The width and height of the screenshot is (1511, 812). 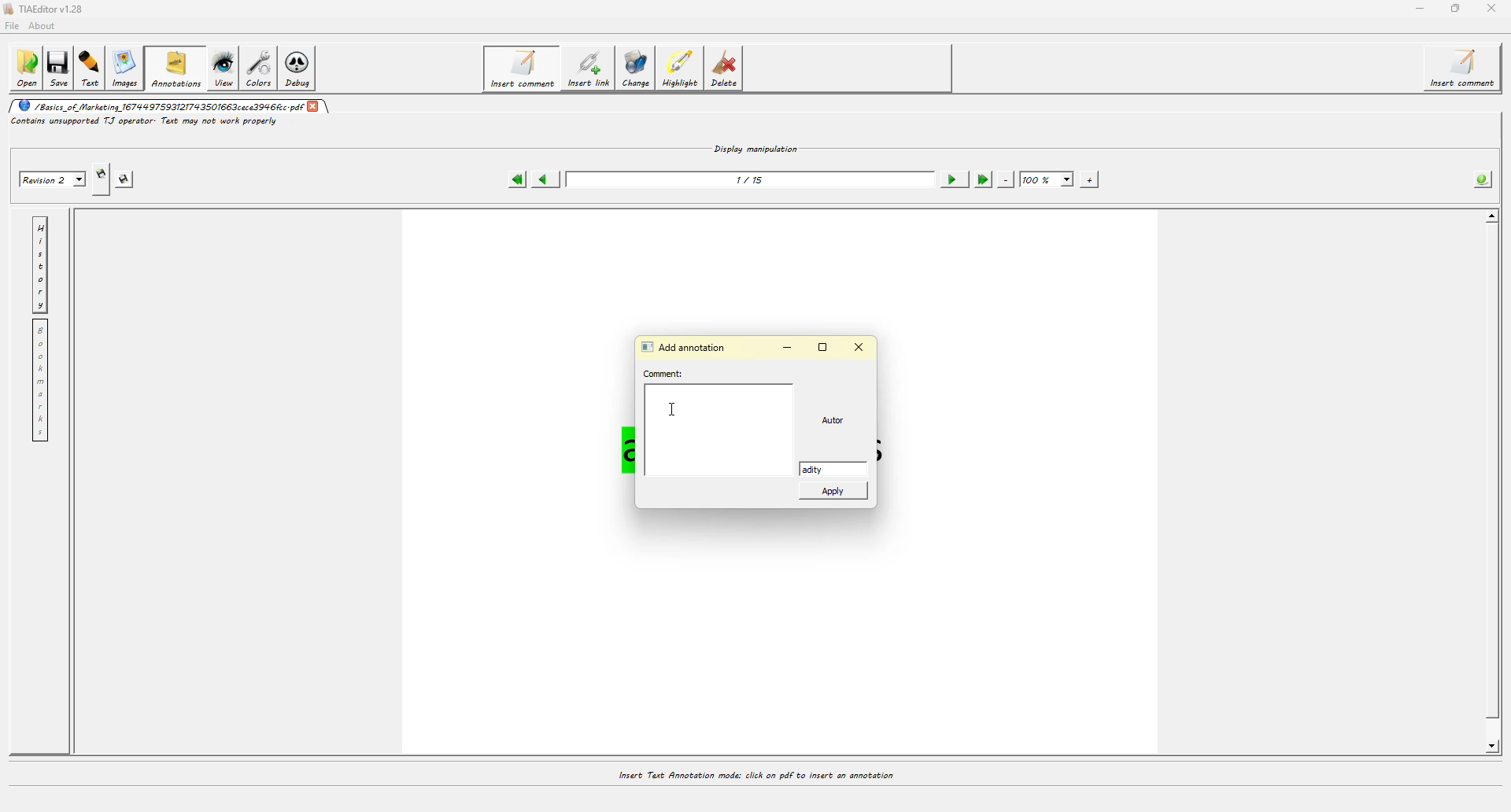 I want to click on text, so click(x=93, y=68).